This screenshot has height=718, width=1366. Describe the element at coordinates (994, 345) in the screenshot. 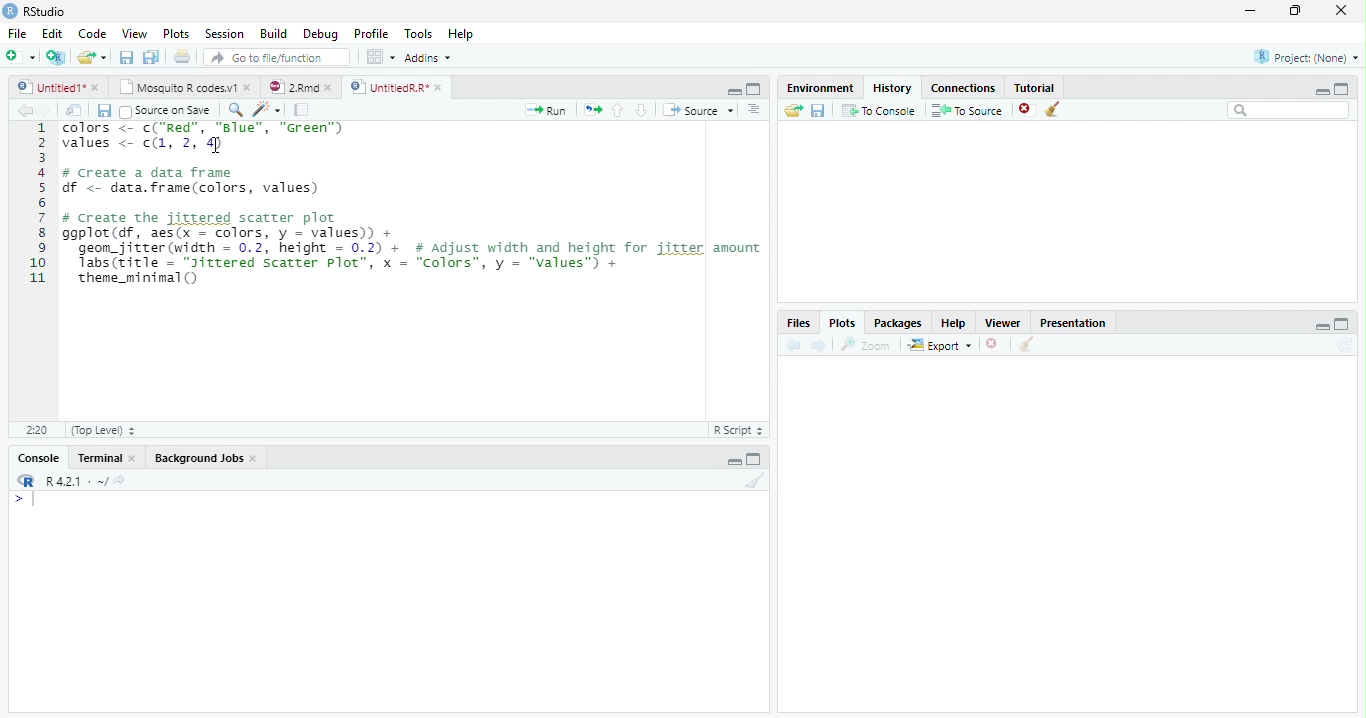

I see `Remove current plot` at that location.